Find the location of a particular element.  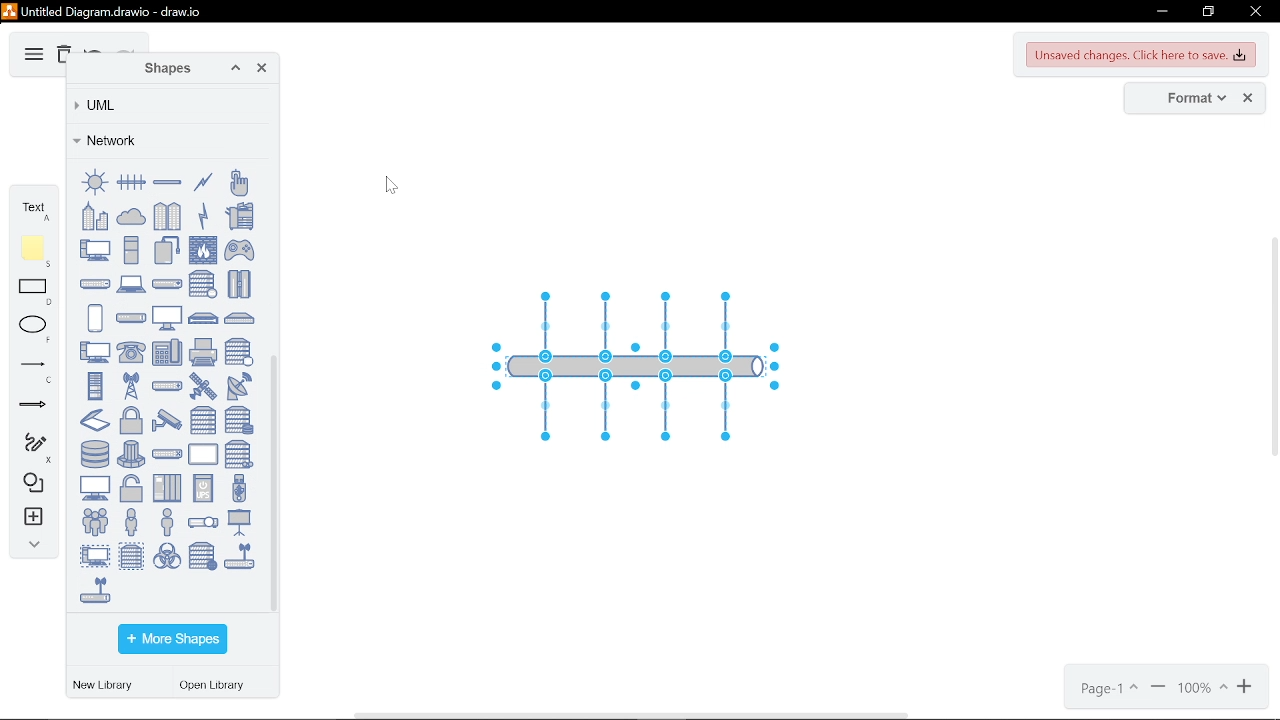

community is located at coordinates (168, 216).